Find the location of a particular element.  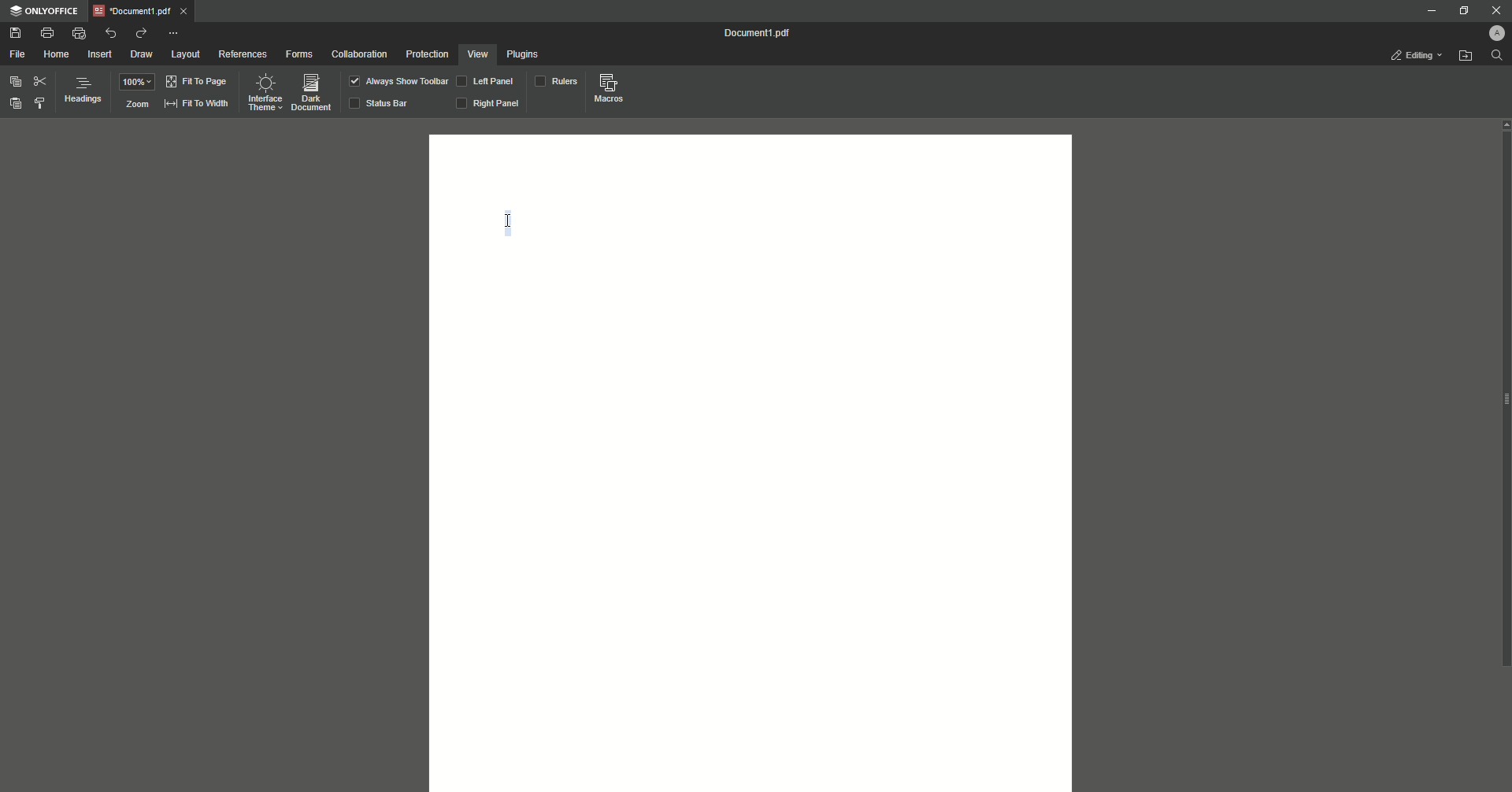

Fit to page is located at coordinates (197, 83).